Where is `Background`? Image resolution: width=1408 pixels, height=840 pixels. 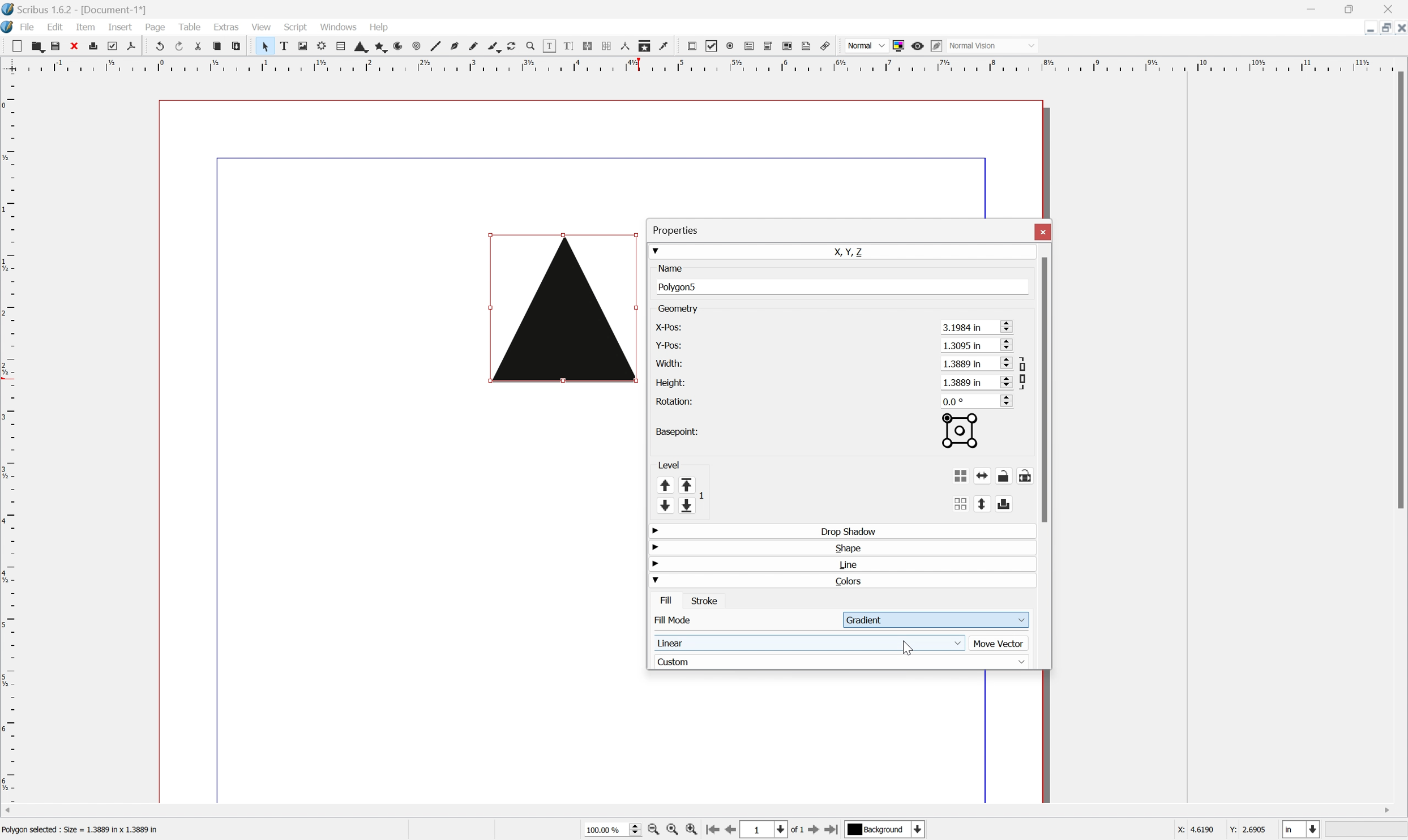 Background is located at coordinates (878, 829).